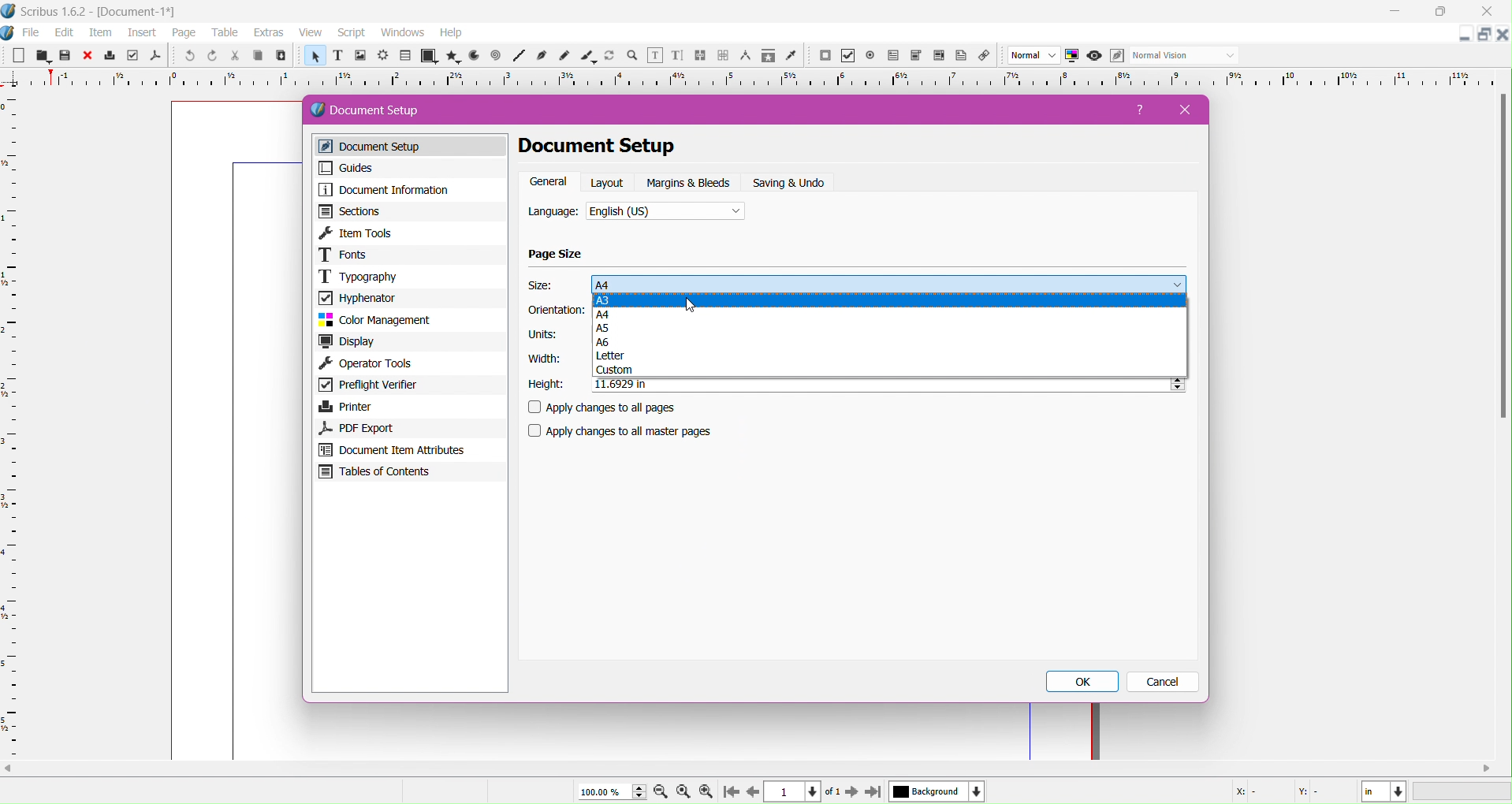  I want to click on progress bar, so click(1463, 792).